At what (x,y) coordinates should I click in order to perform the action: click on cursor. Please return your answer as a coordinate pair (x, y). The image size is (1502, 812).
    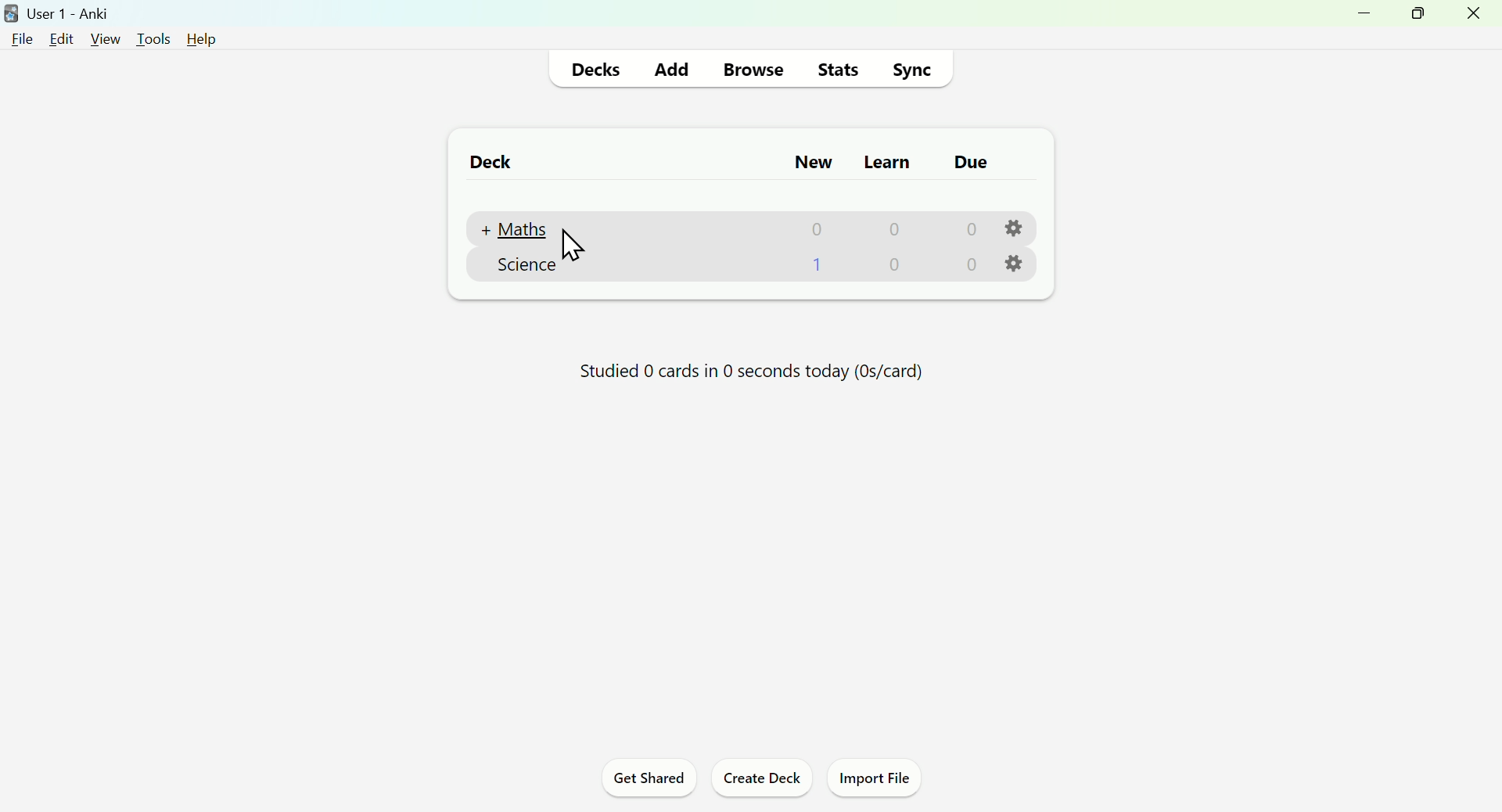
    Looking at the image, I should click on (569, 244).